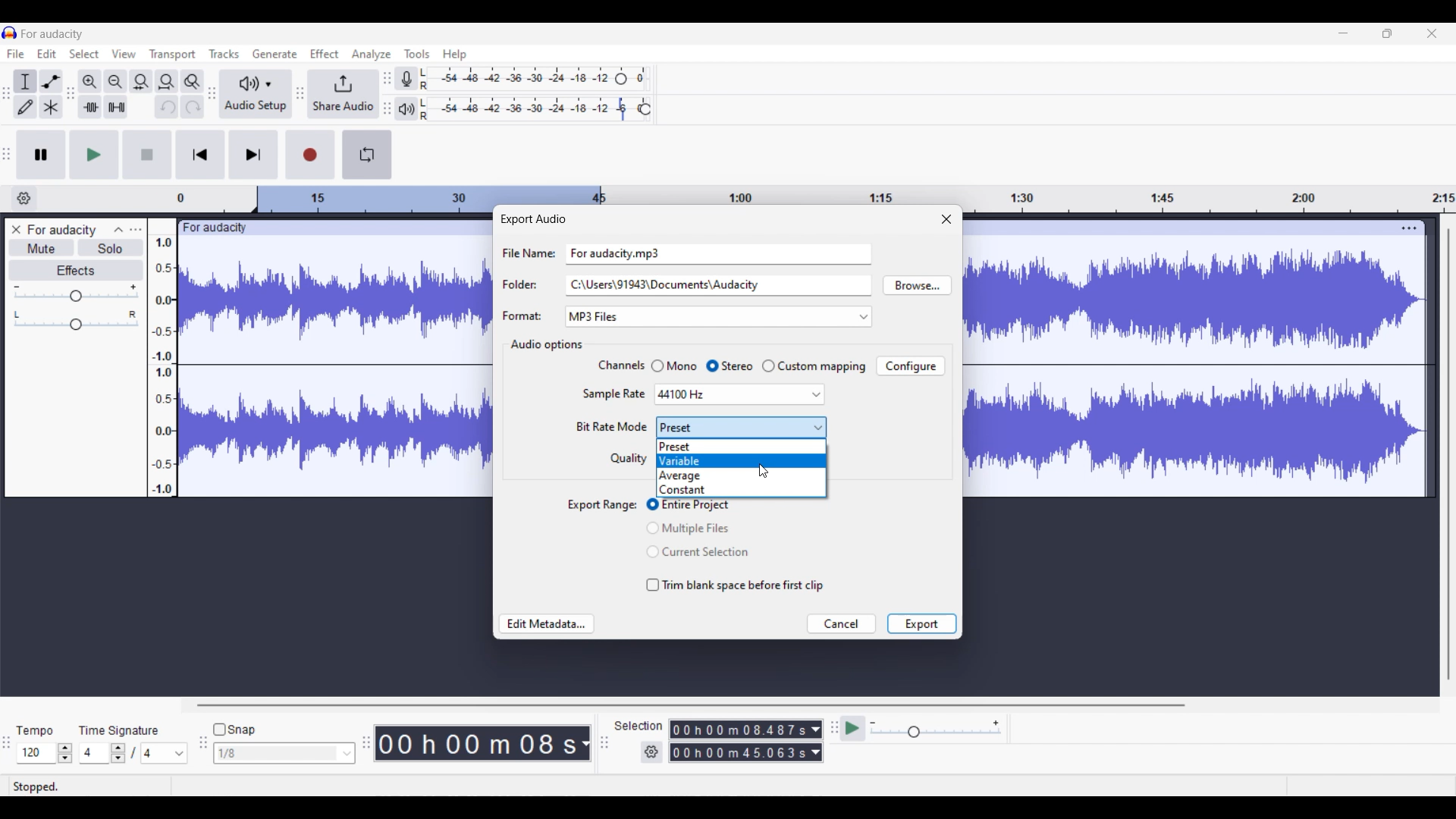  What do you see at coordinates (417, 54) in the screenshot?
I see `Tools menu` at bounding box center [417, 54].